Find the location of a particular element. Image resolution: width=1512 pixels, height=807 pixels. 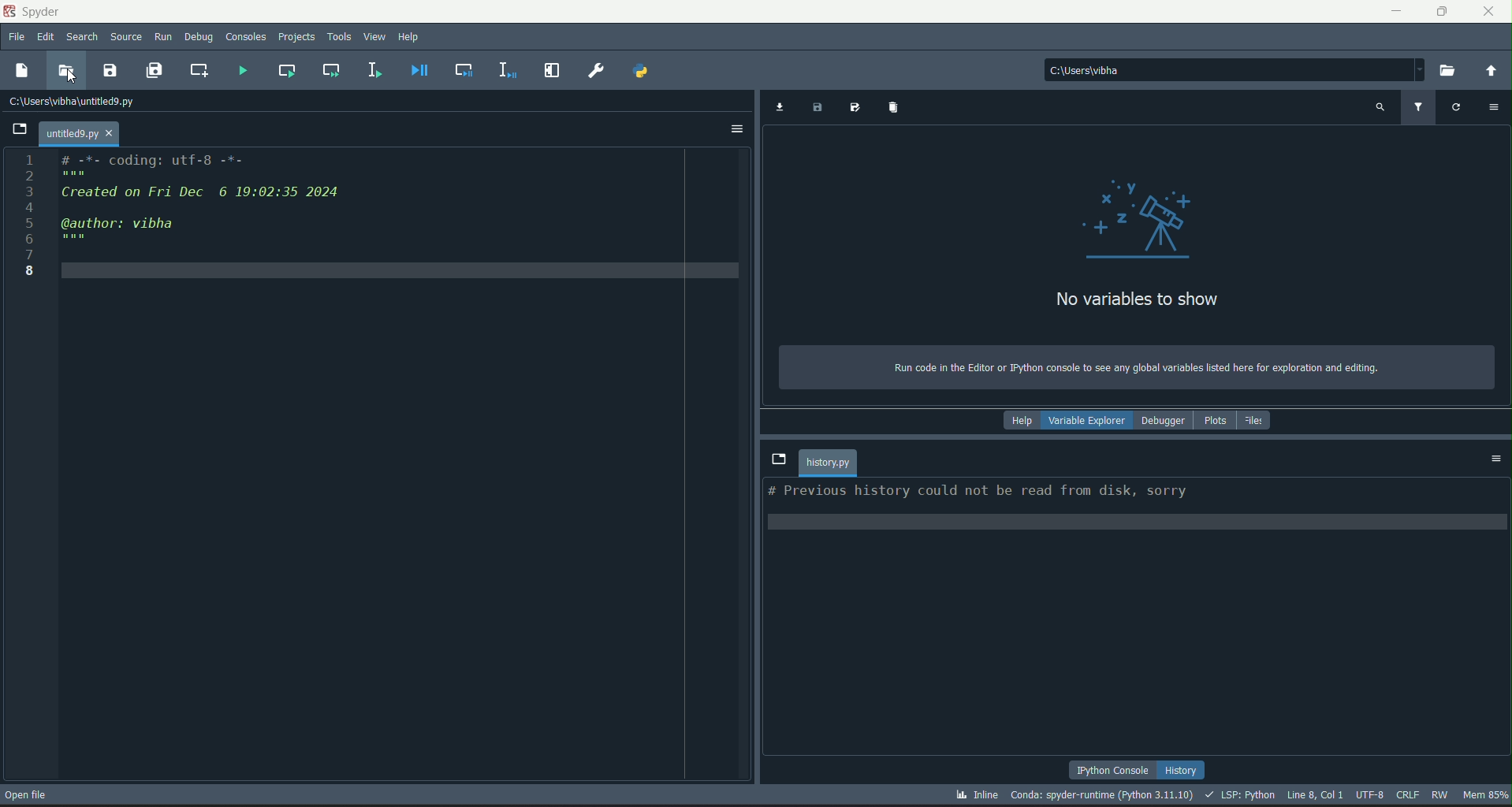

text is located at coordinates (978, 493).